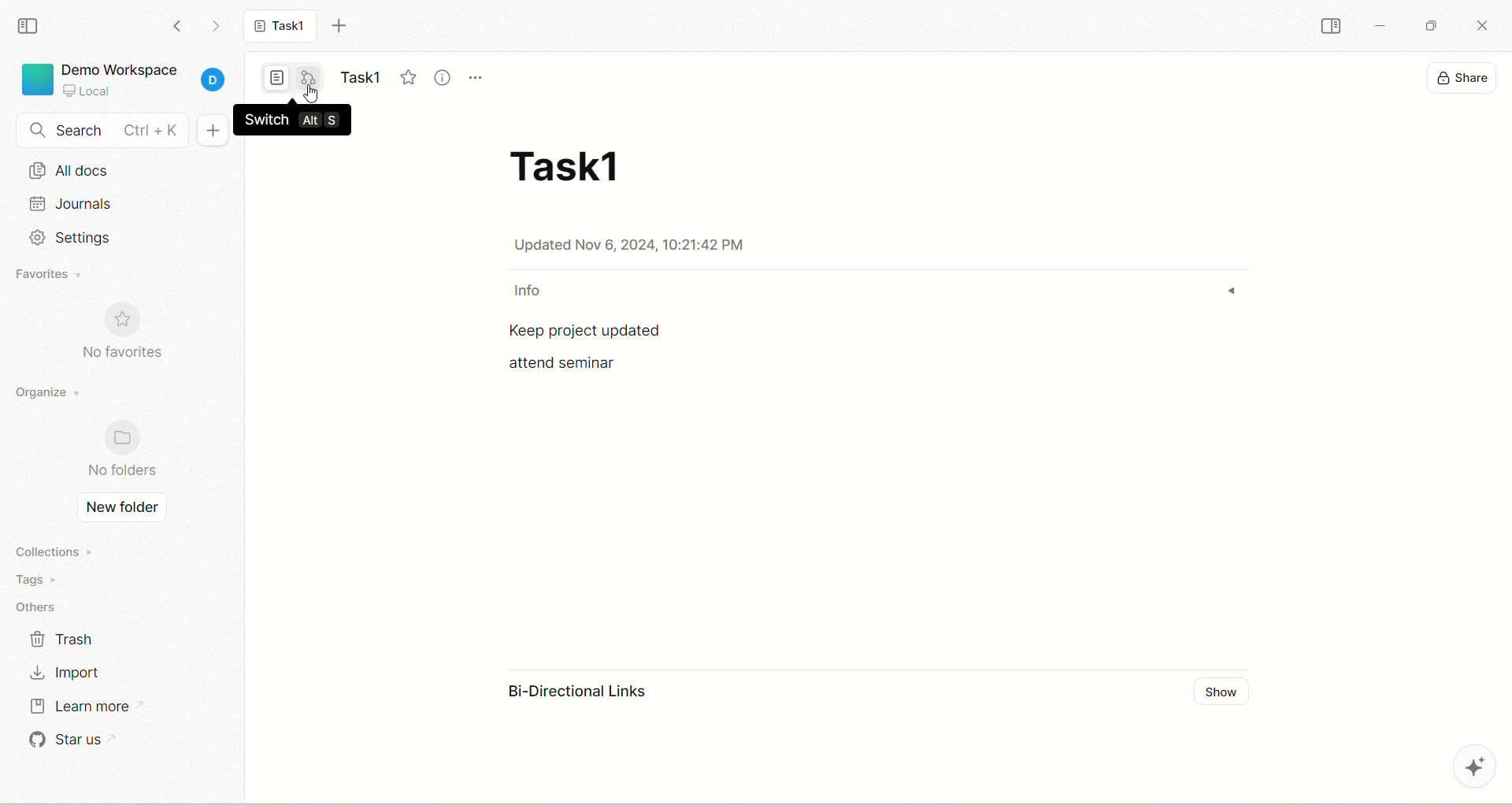 This screenshot has width=1512, height=805. What do you see at coordinates (290, 120) in the screenshot?
I see `switch` at bounding box center [290, 120].